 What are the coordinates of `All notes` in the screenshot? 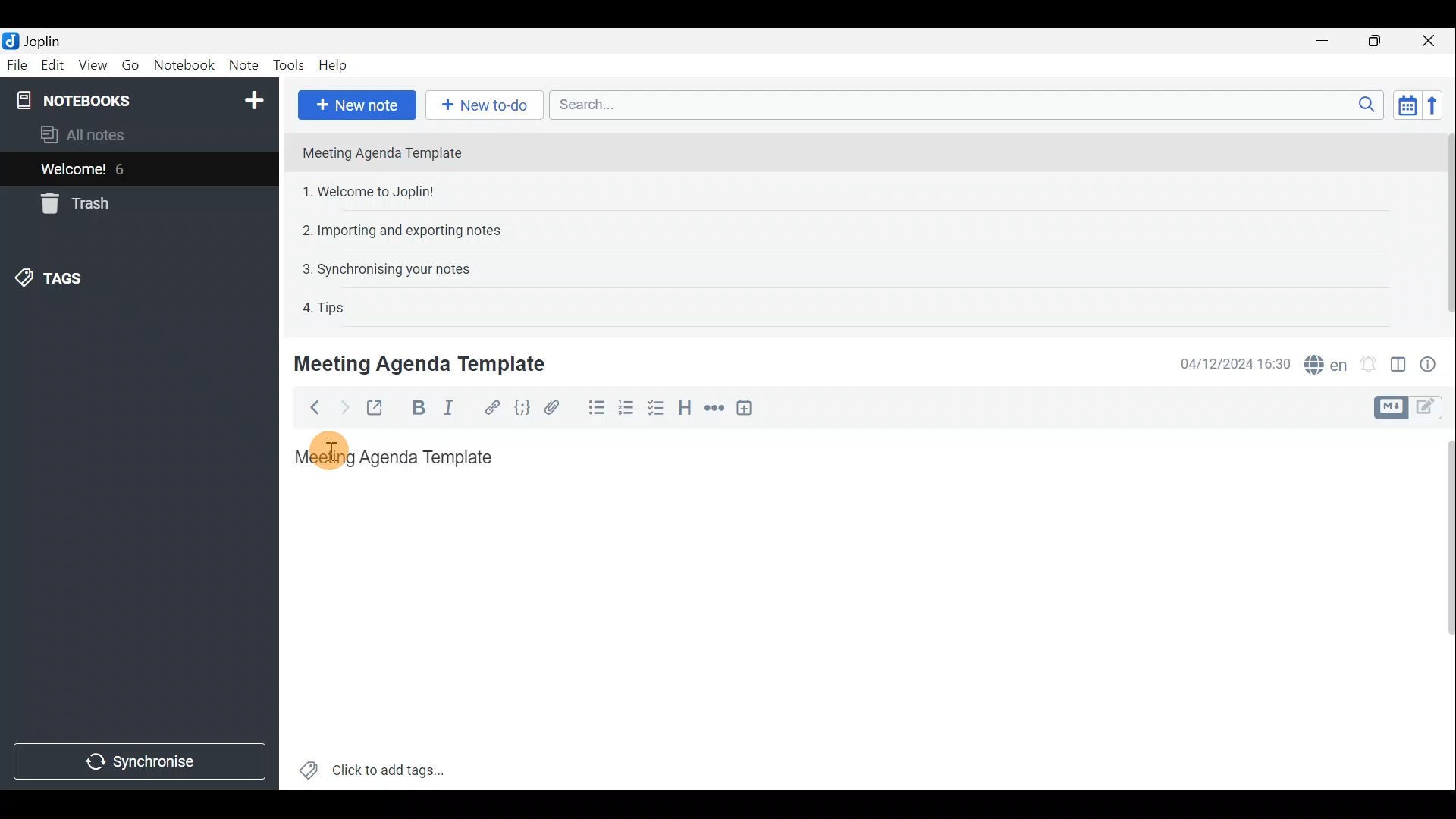 It's located at (108, 134).